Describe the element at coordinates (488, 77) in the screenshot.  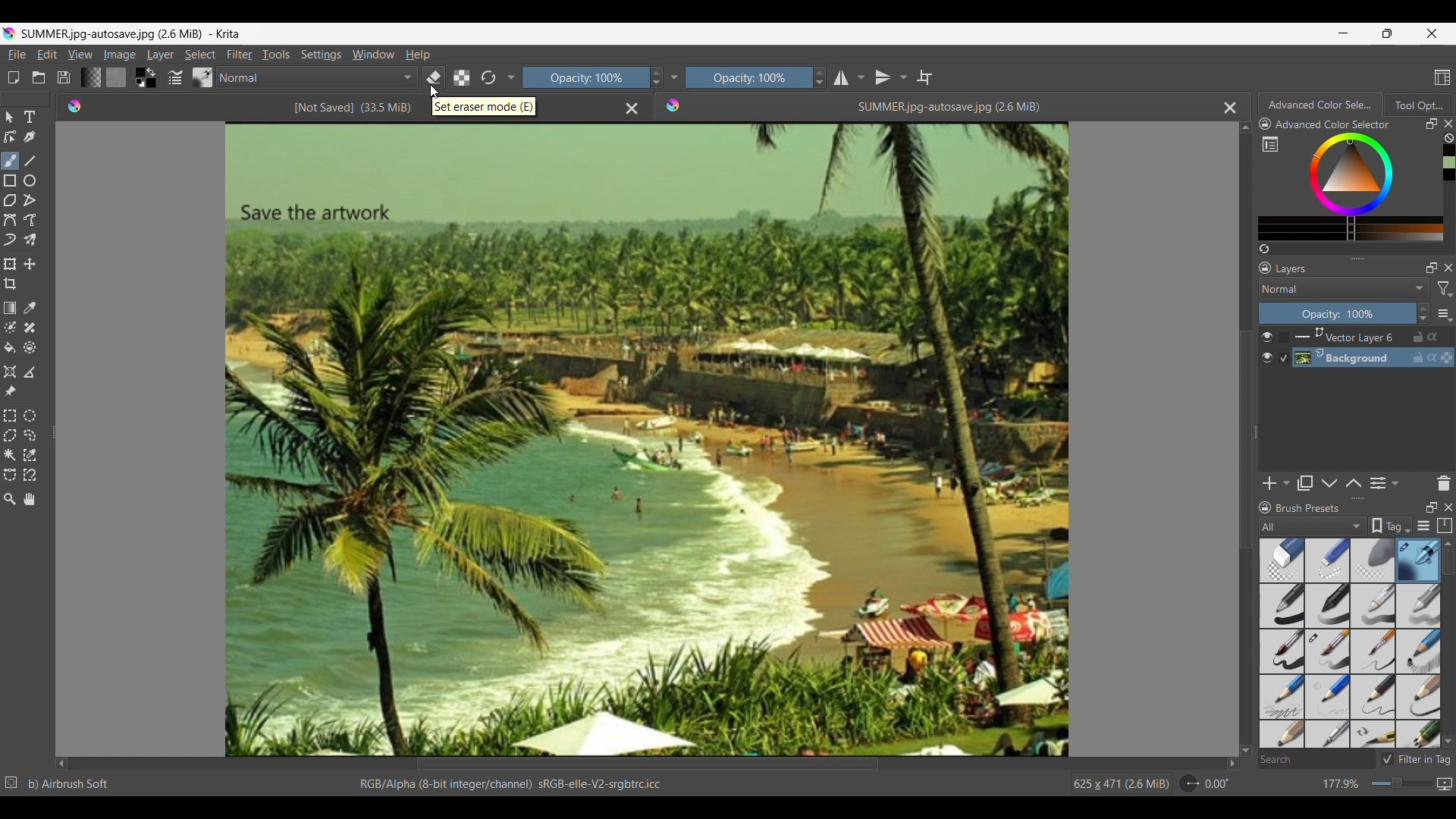
I see `Reload original settings` at that location.